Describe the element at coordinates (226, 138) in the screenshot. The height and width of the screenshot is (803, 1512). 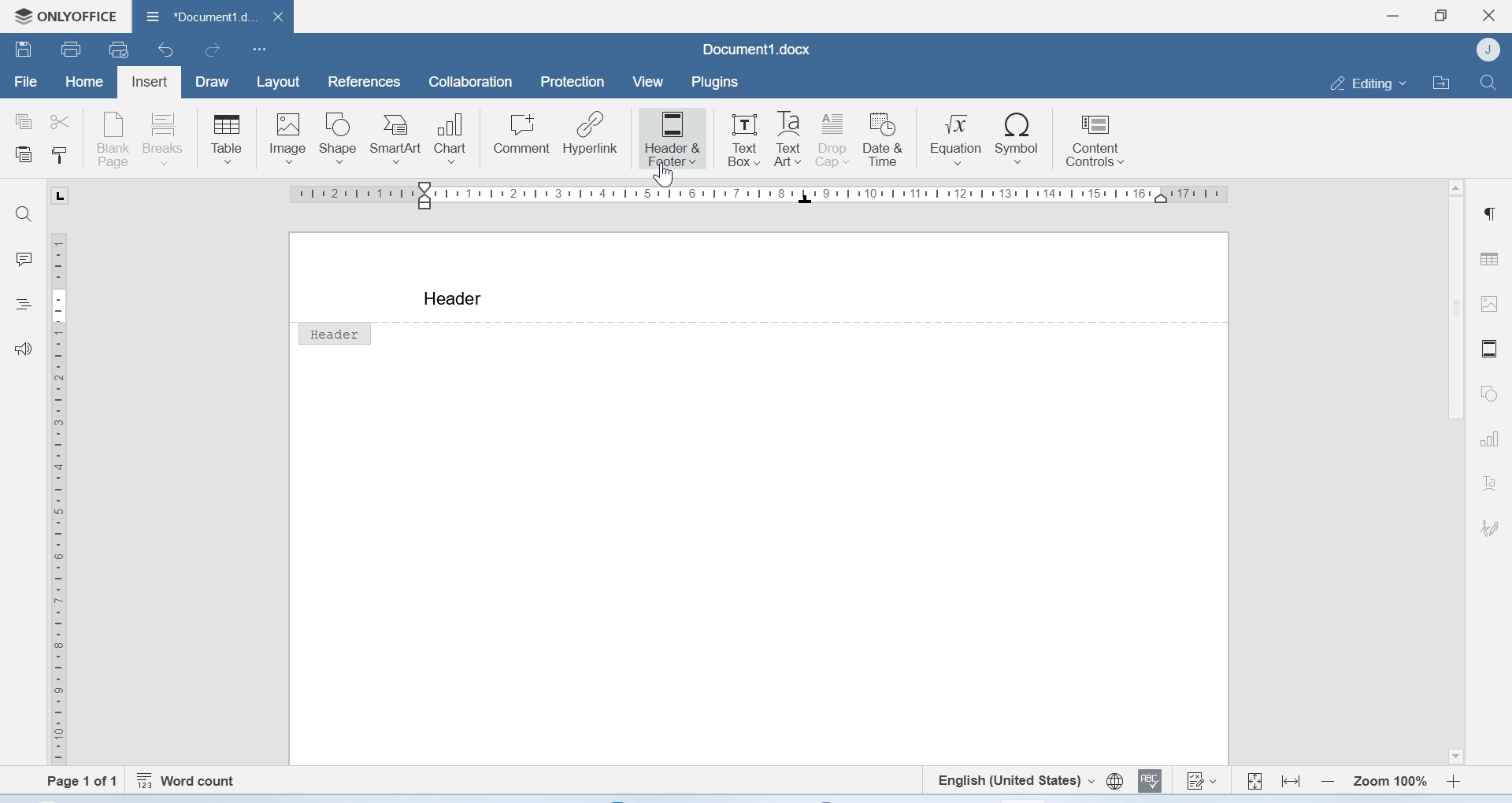
I see `Table` at that location.